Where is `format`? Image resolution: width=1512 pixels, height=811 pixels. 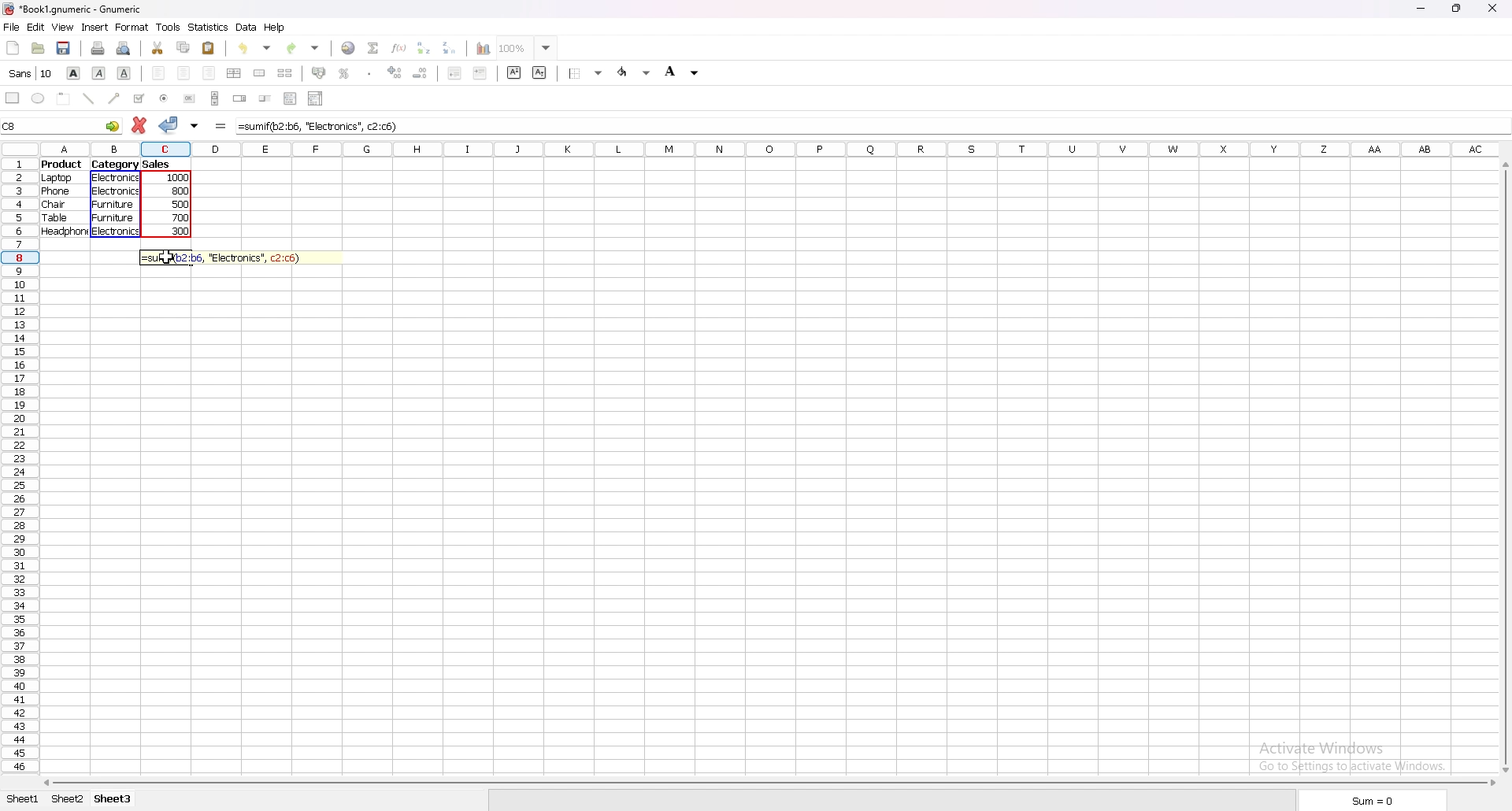 format is located at coordinates (132, 27).